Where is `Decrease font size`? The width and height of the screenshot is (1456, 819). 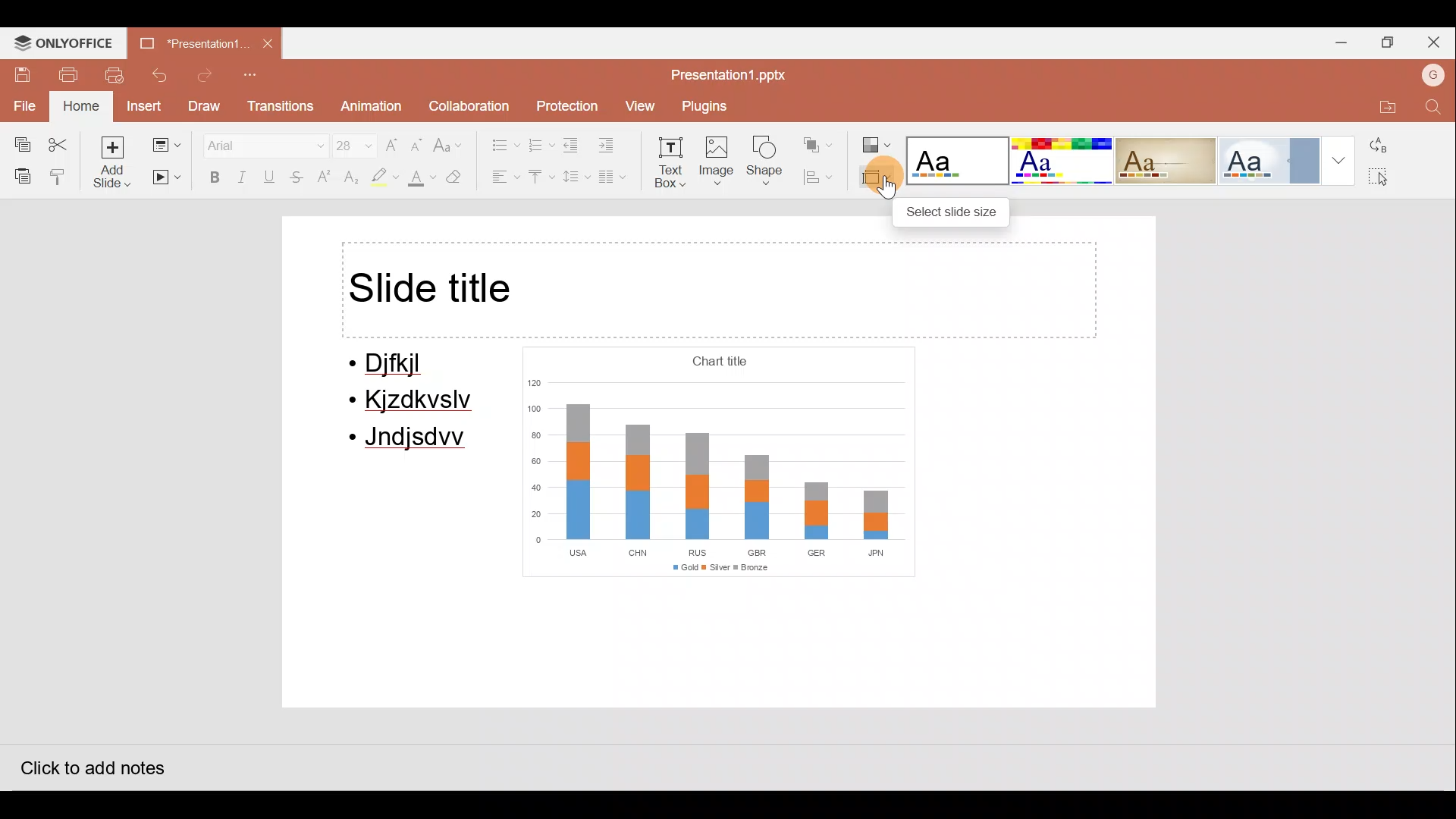
Decrease font size is located at coordinates (419, 140).